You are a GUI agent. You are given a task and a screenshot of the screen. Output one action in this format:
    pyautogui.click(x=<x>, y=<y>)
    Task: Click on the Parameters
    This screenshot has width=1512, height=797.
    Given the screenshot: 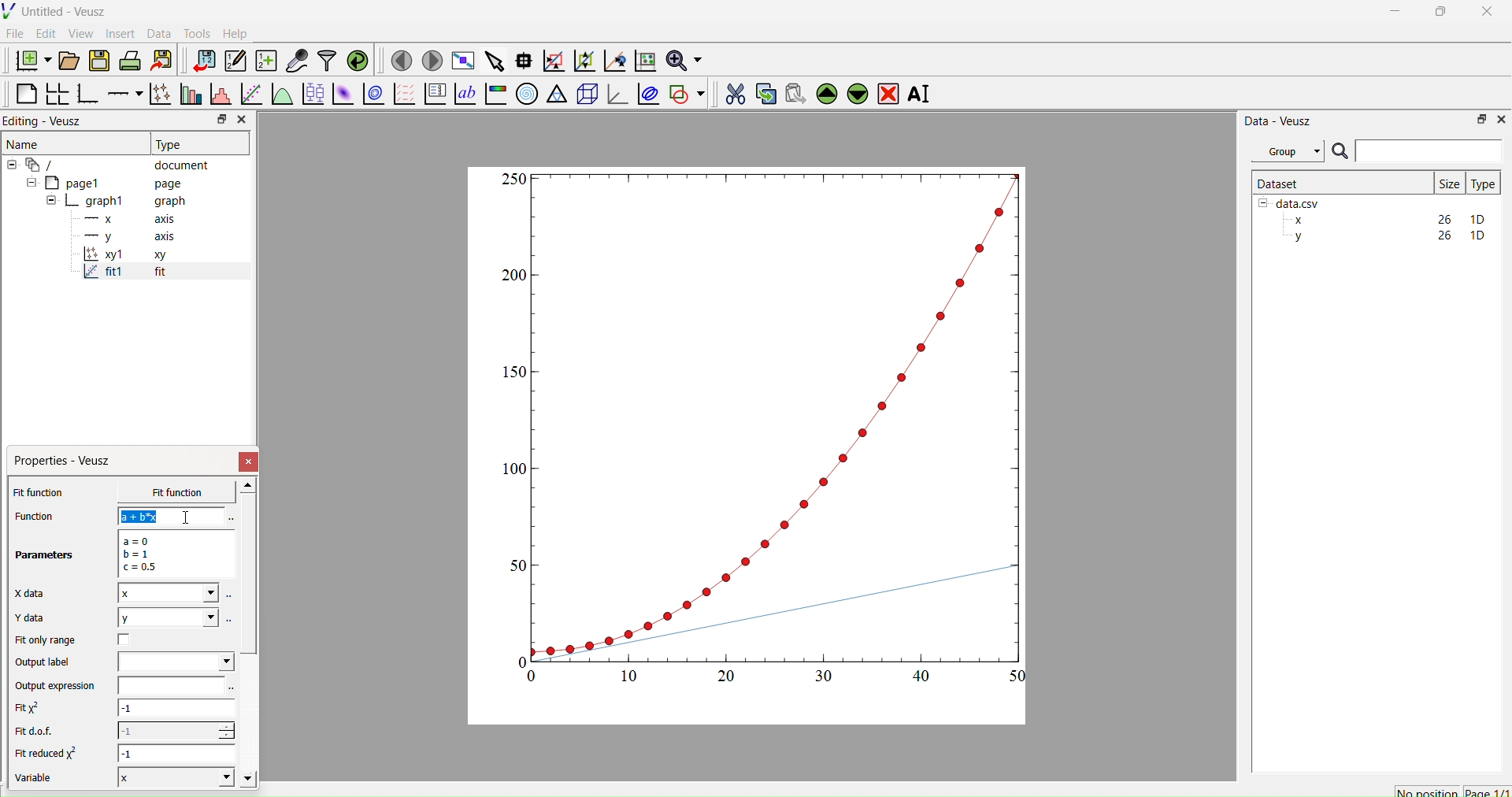 What is the action you would take?
    pyautogui.click(x=46, y=555)
    